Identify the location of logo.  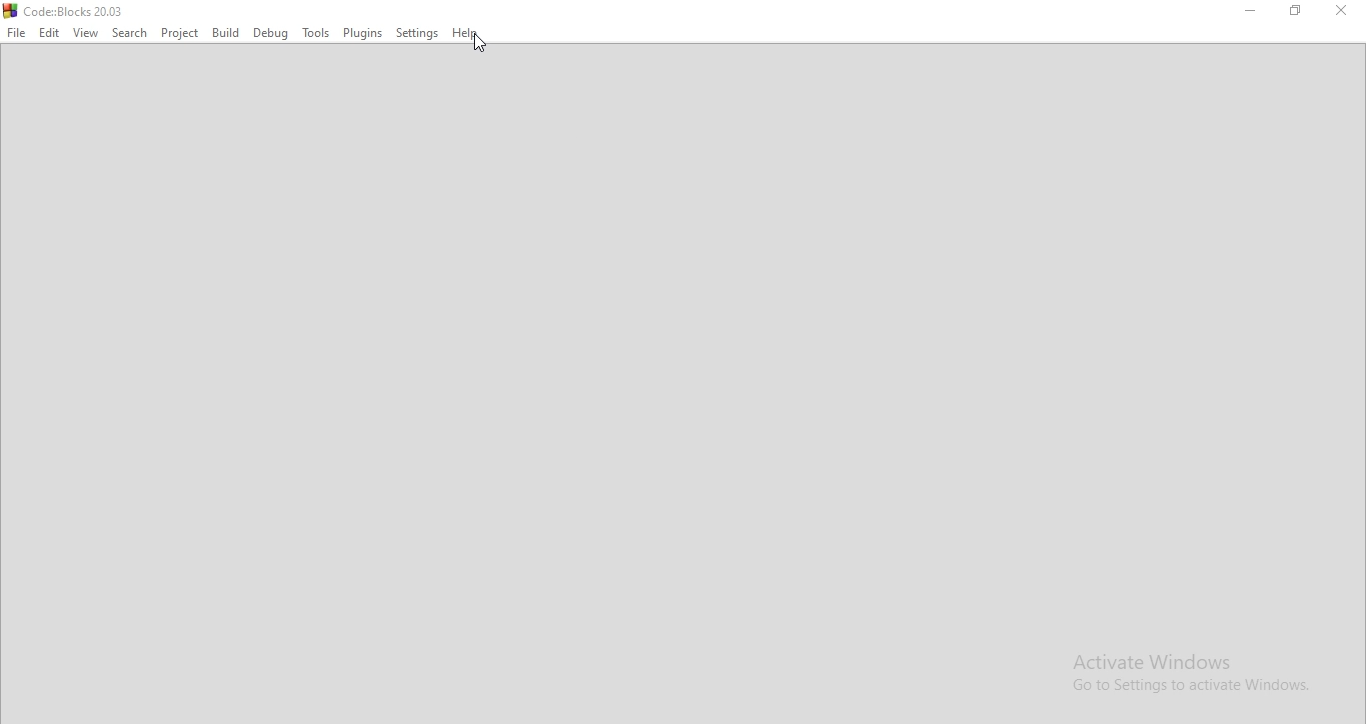
(64, 9).